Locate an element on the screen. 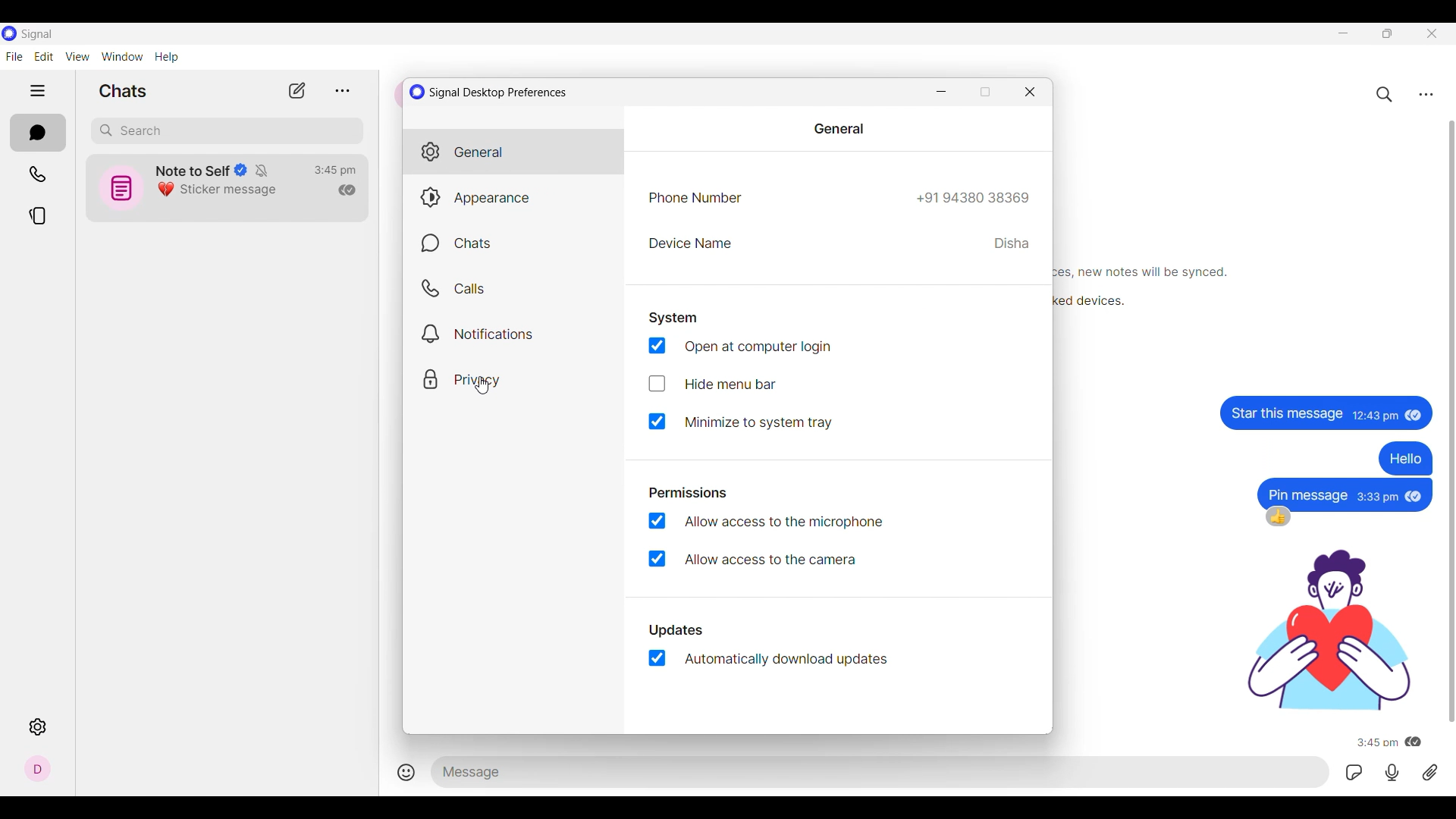 This screenshot has height=819, width=1456. Window title is located at coordinates (488, 91).